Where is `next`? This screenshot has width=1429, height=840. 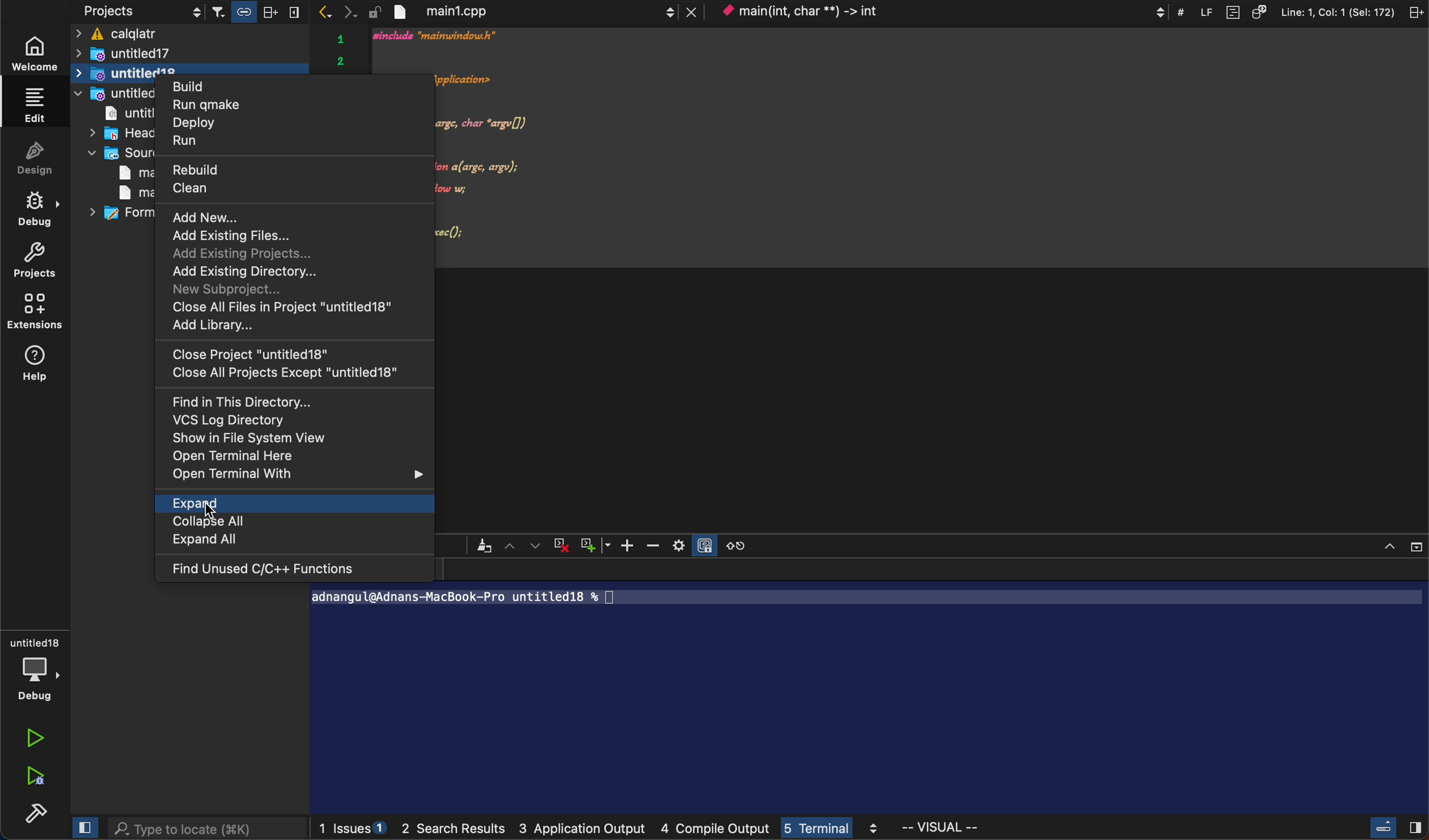 next is located at coordinates (350, 11).